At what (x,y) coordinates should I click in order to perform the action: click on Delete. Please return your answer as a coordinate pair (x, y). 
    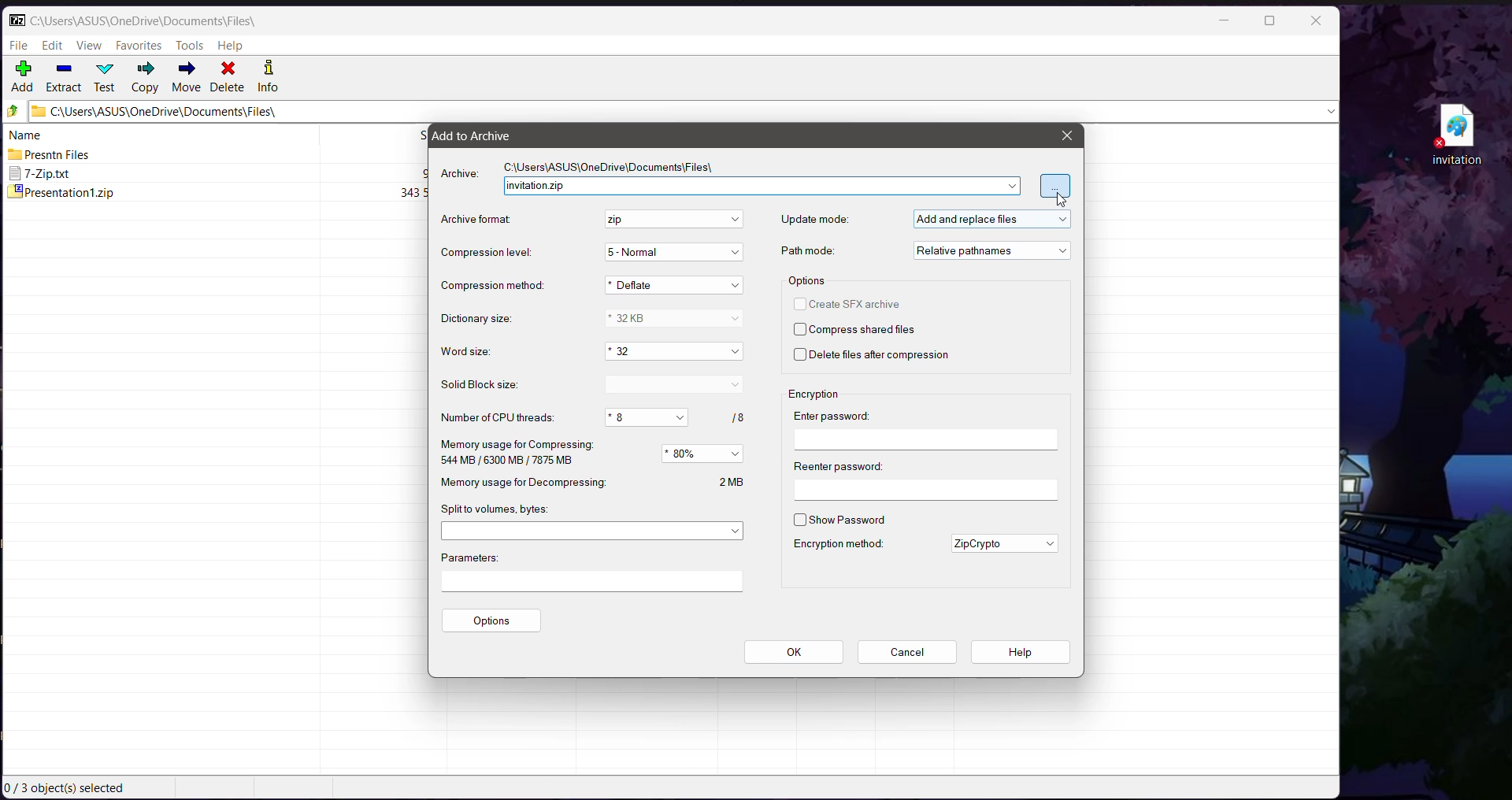
    Looking at the image, I should click on (229, 78).